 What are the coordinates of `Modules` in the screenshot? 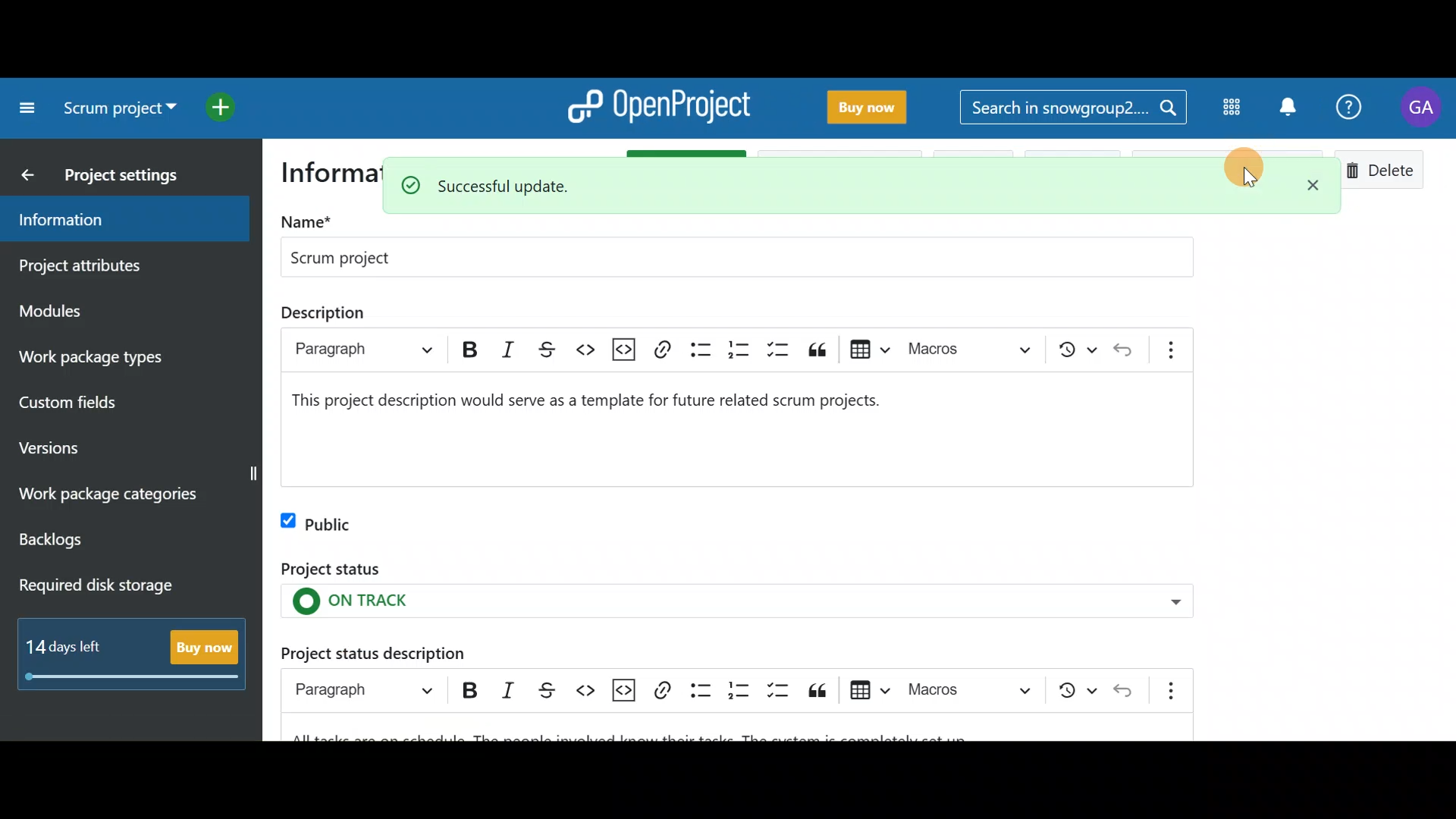 It's located at (106, 310).